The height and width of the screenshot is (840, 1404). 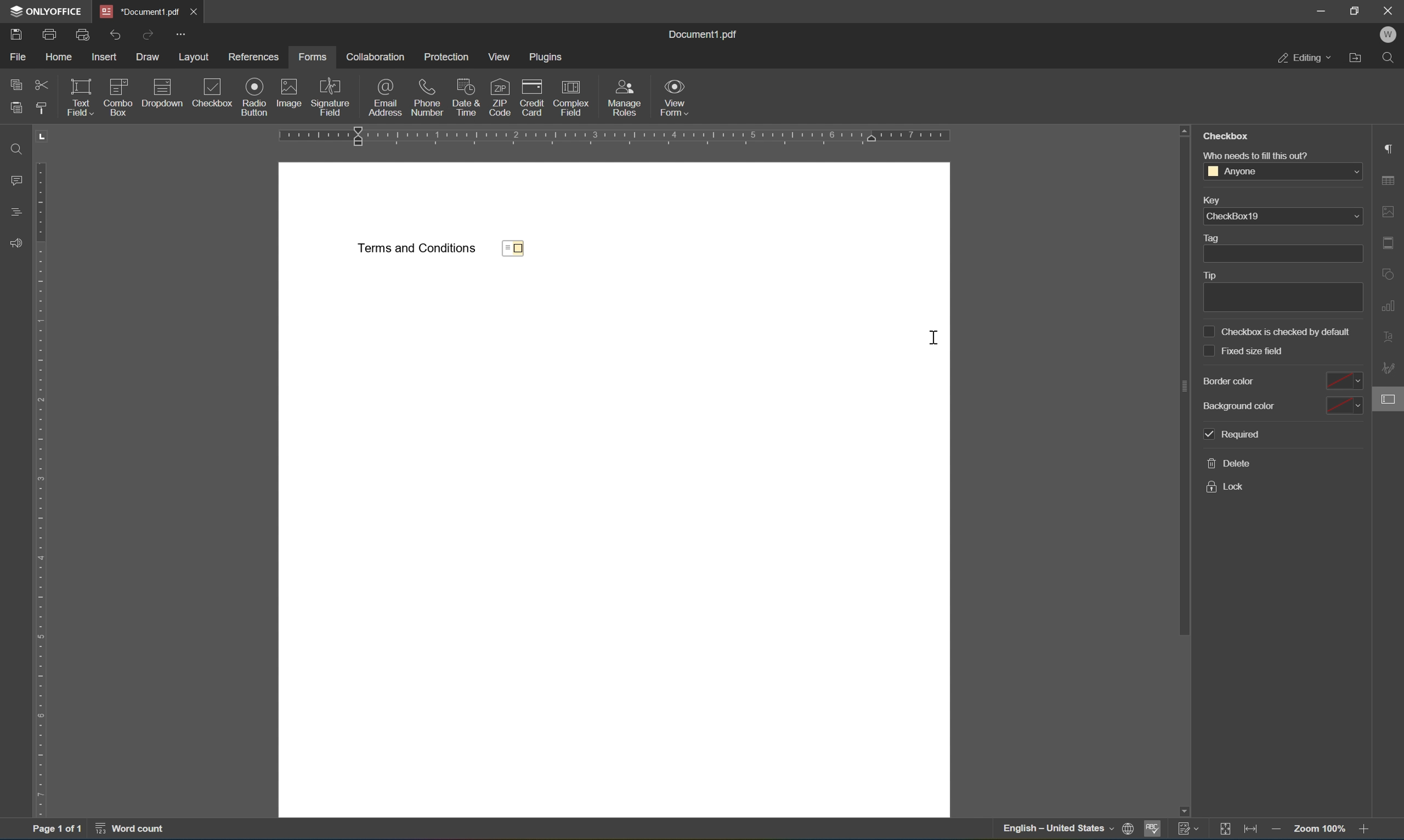 I want to click on form settings, so click(x=1388, y=402).